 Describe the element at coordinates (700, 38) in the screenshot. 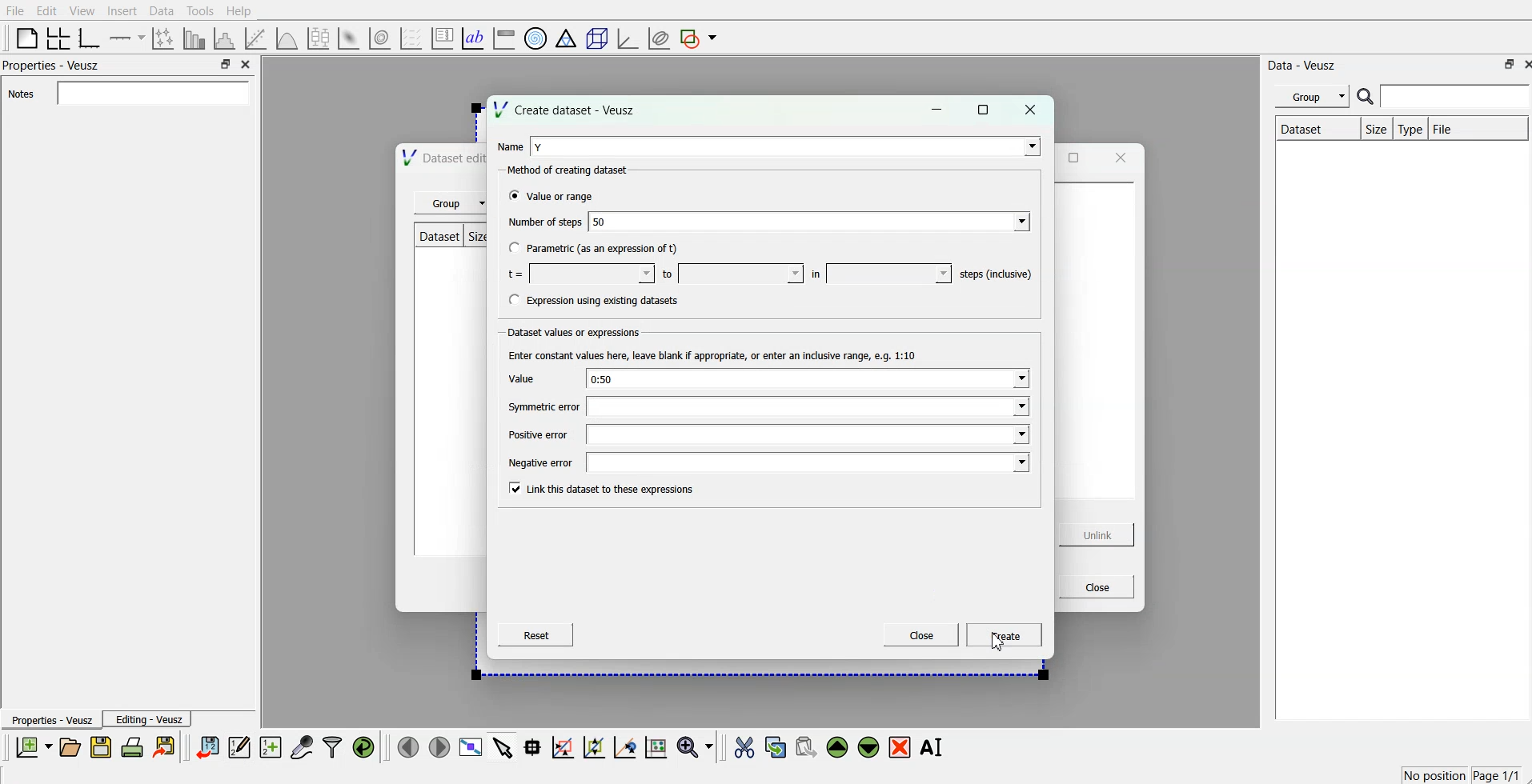

I see `add a shape` at that location.